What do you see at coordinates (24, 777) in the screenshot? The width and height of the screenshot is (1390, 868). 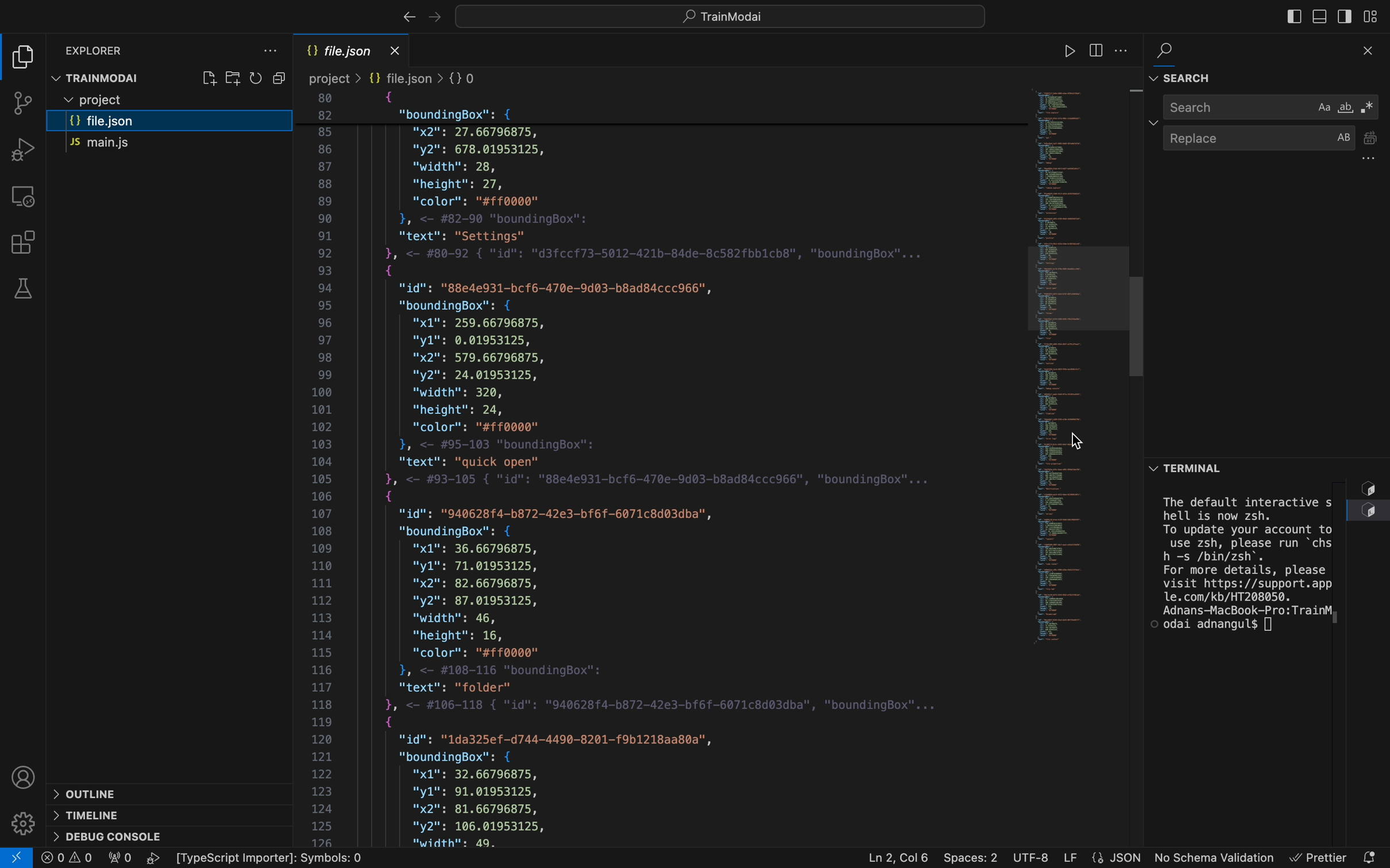 I see `profile` at bounding box center [24, 777].